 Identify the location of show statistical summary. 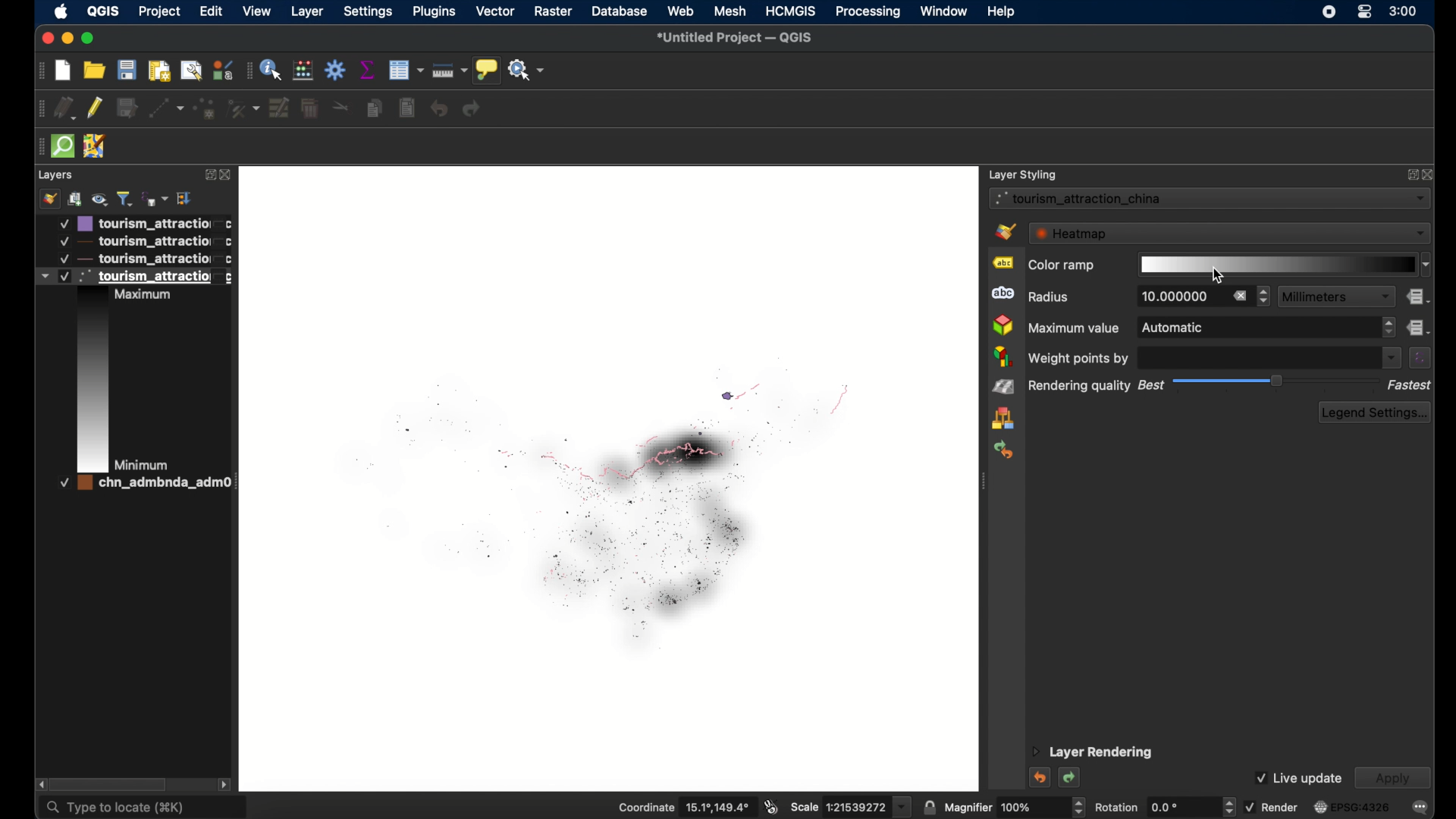
(368, 69).